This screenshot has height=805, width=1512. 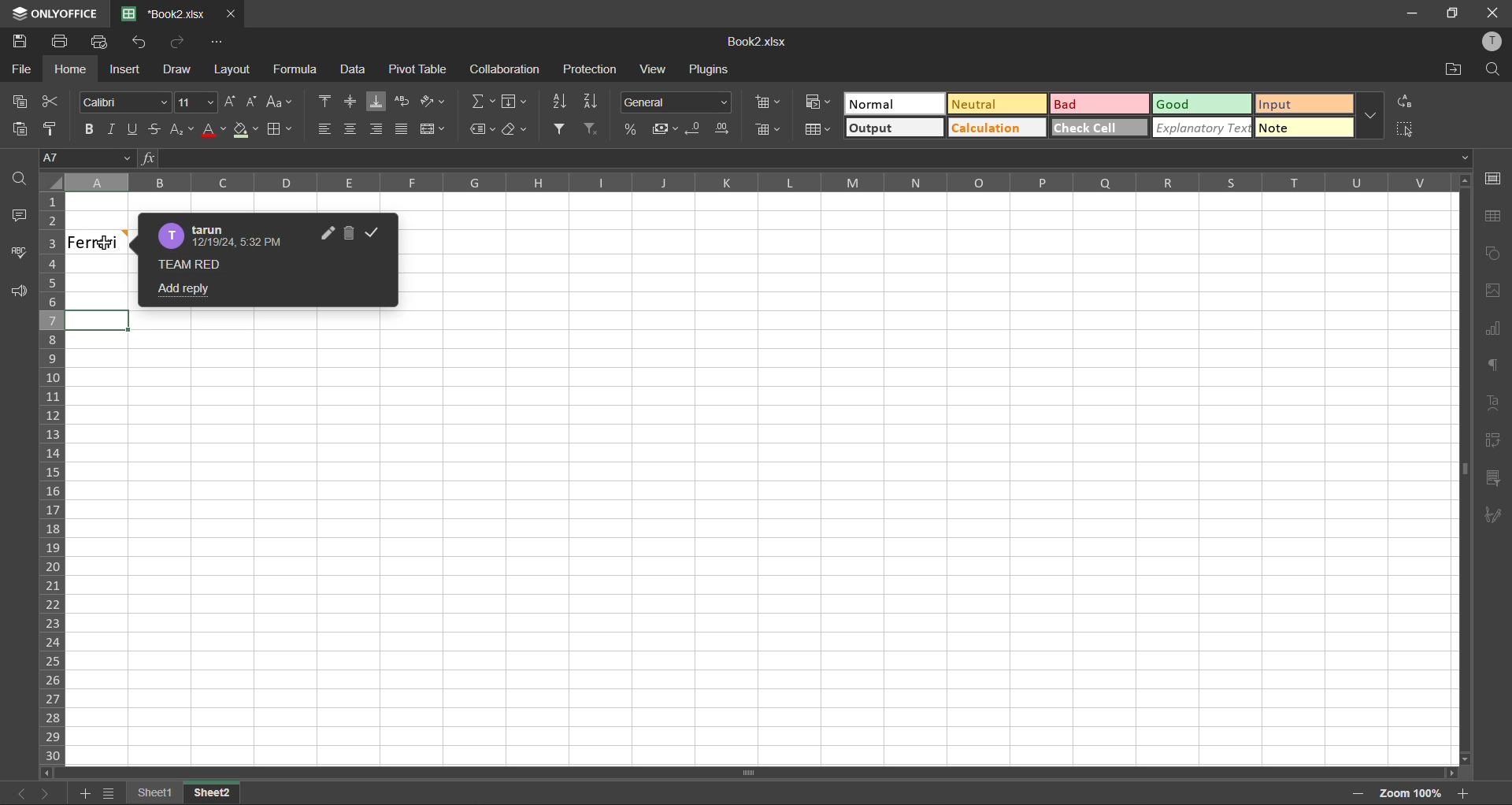 I want to click on layout, so click(x=232, y=72).